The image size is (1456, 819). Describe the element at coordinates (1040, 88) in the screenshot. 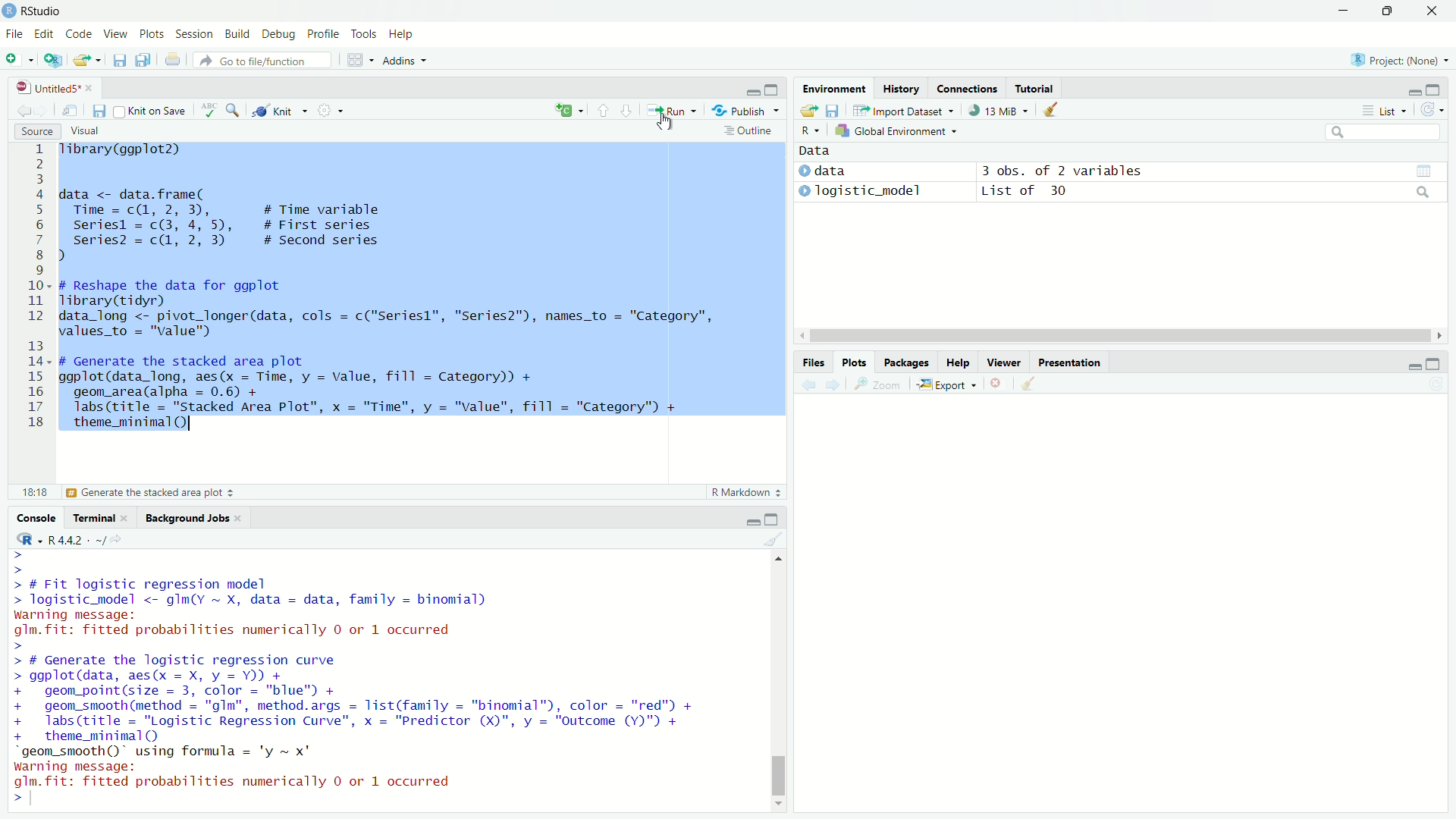

I see `Tutorial` at that location.